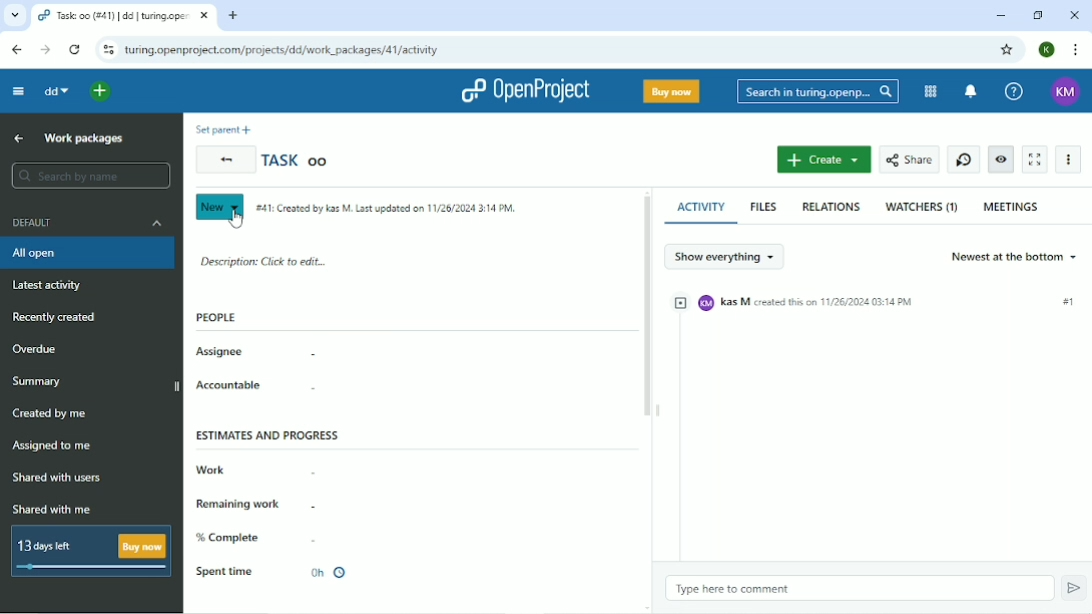  Describe the element at coordinates (878, 302) in the screenshot. I see `kM Kas M created this on 11/26/2024 03:14 PM` at that location.